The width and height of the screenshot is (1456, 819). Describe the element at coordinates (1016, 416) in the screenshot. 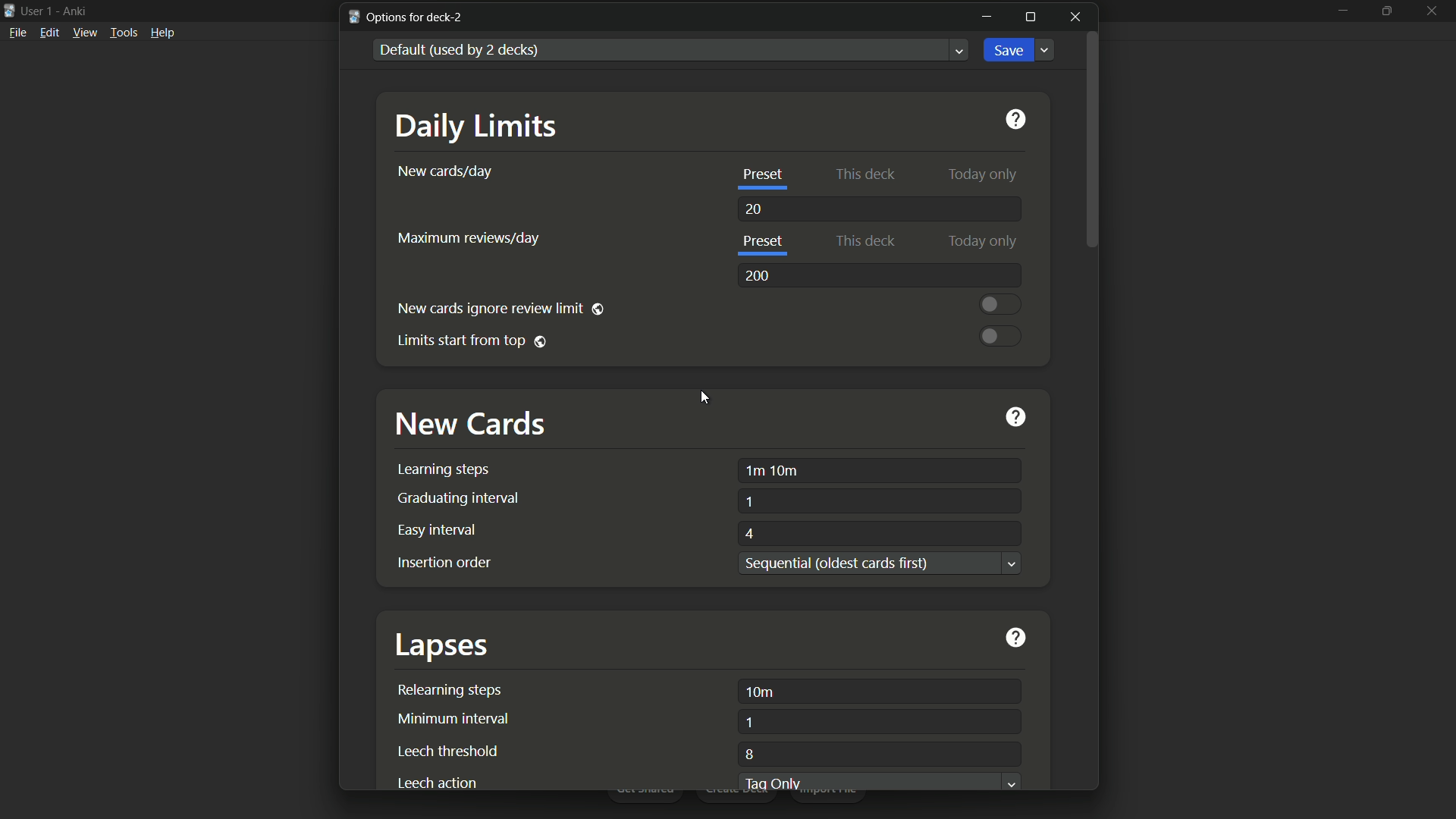

I see `get help` at that location.